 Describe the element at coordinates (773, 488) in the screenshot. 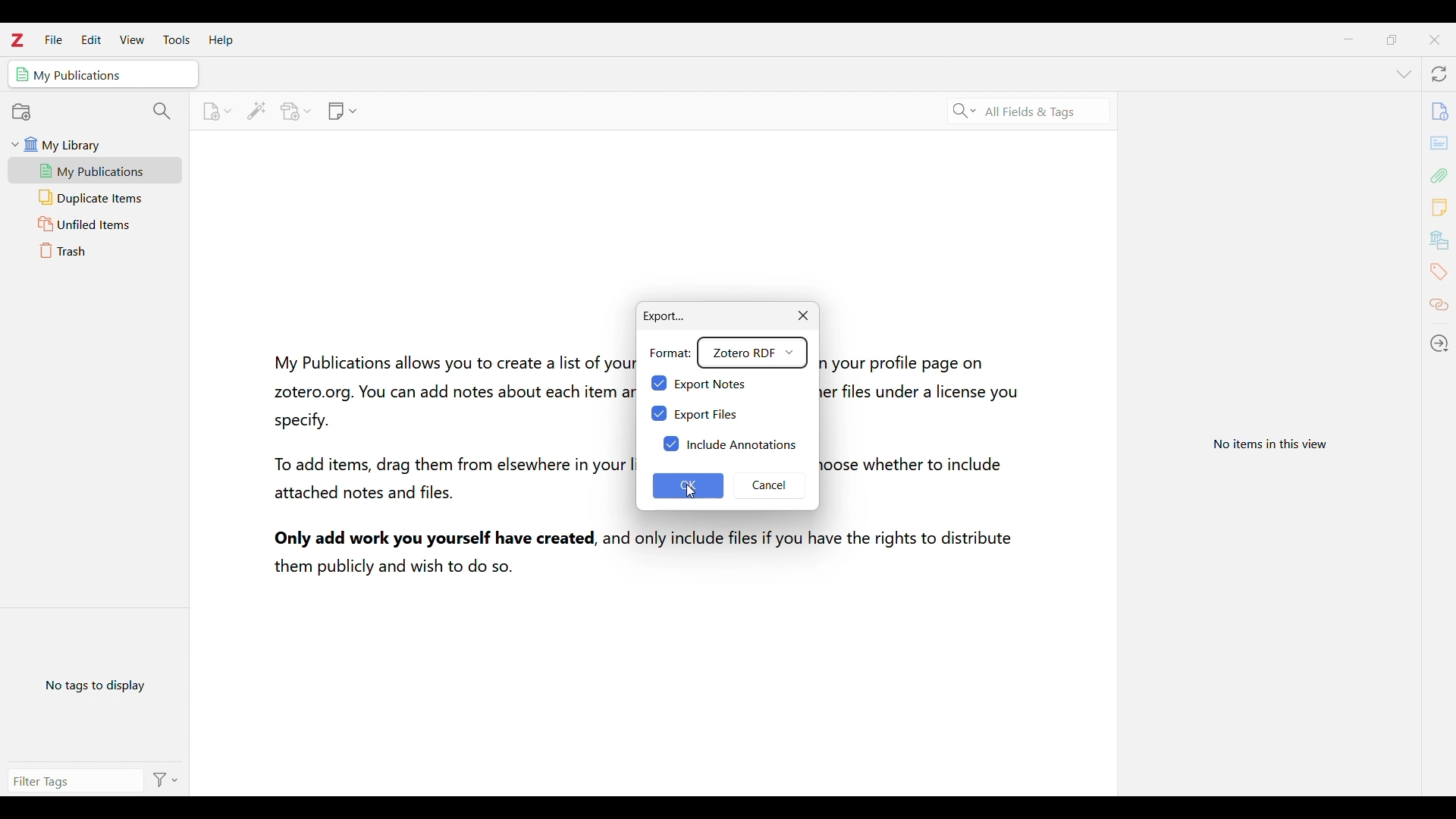

I see `Cancel` at that location.